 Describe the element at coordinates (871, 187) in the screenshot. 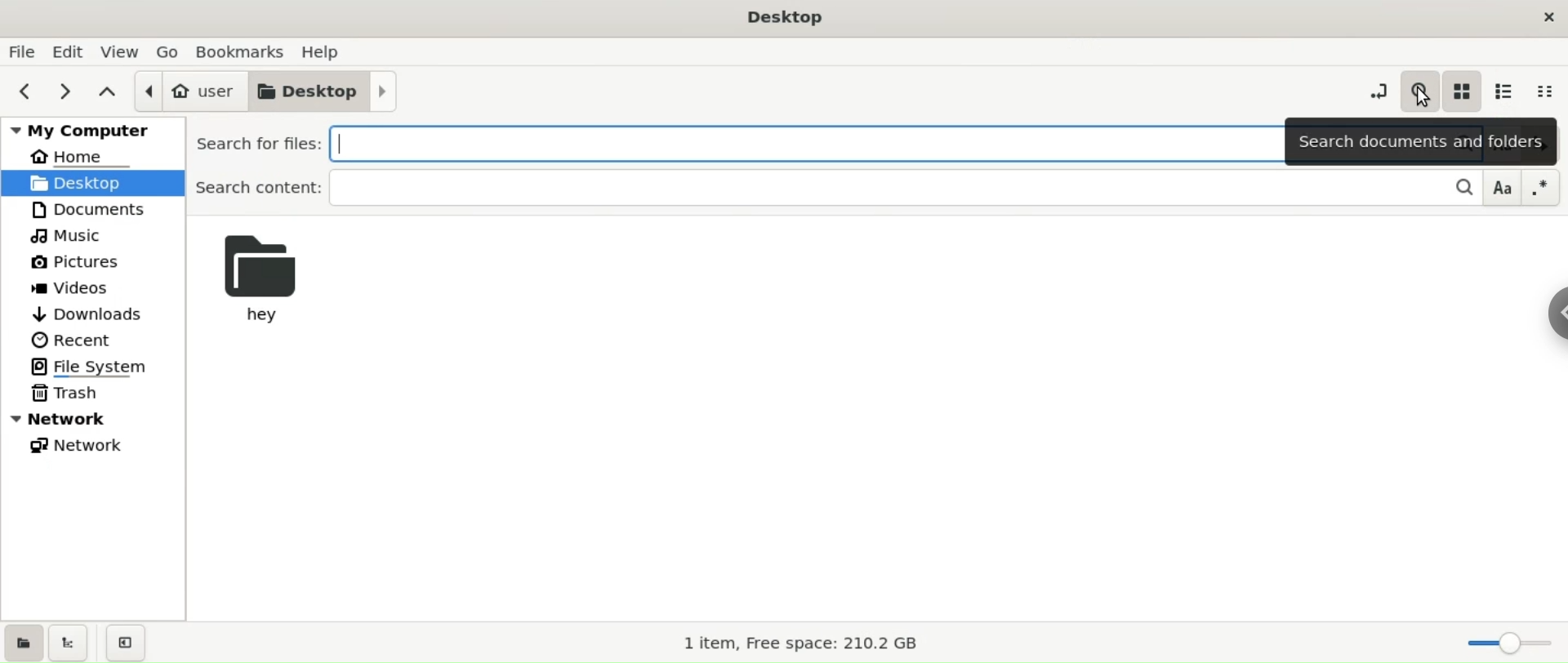

I see `search content` at that location.